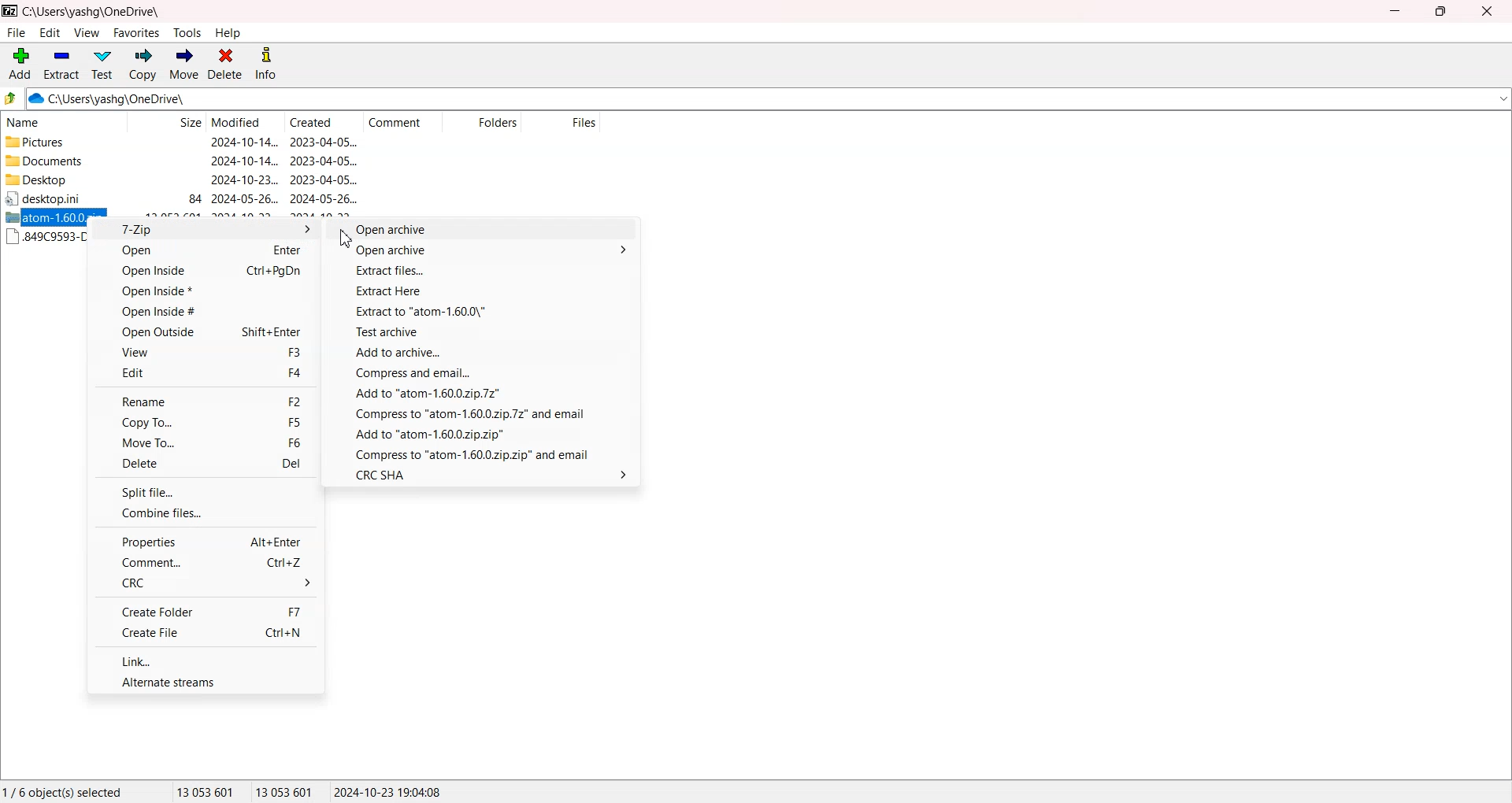 This screenshot has width=1512, height=803. Describe the element at coordinates (324, 142) in the screenshot. I see `2023-04-05` at that location.